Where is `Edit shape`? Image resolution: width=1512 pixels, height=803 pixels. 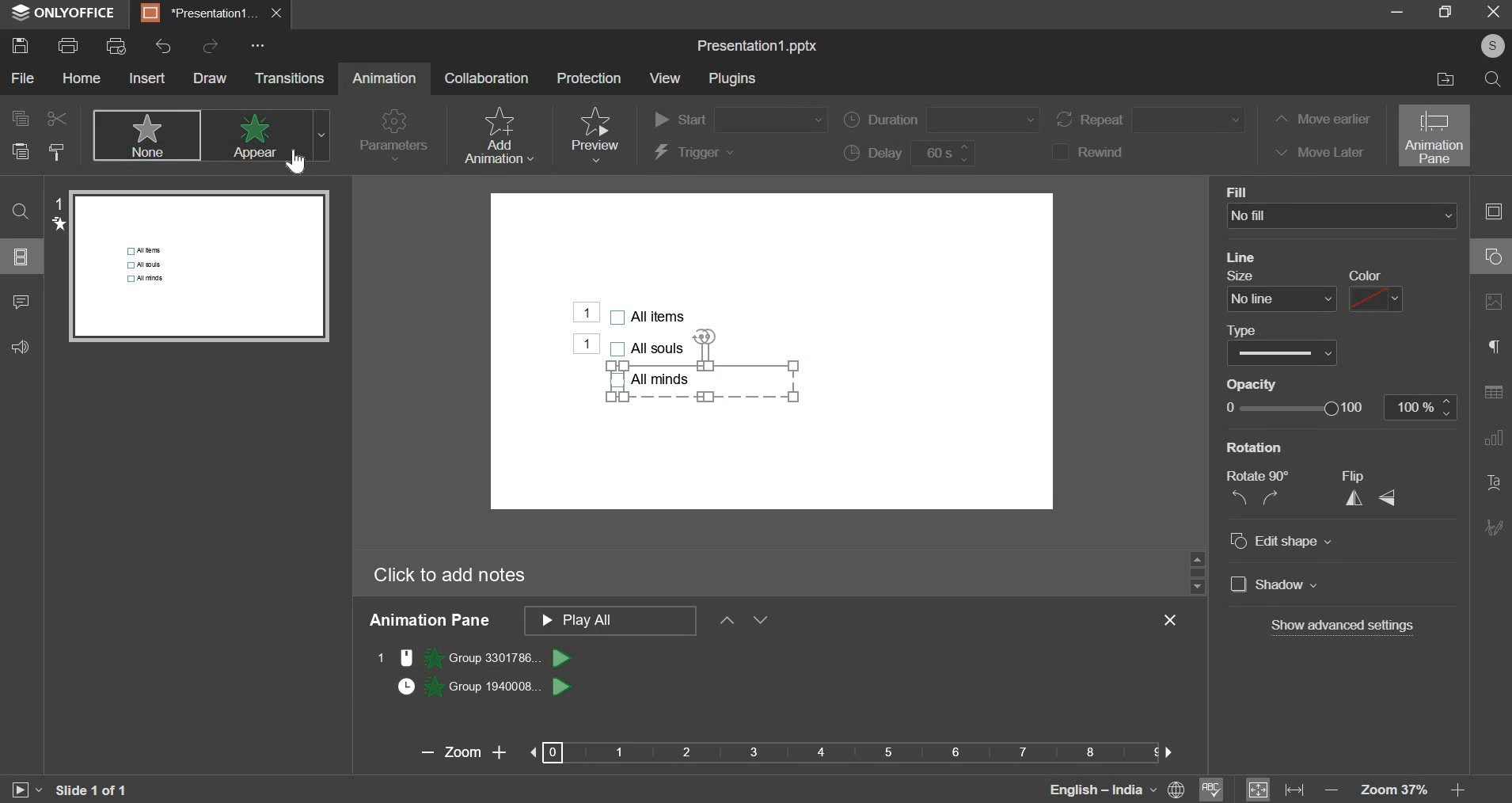 Edit shape is located at coordinates (1290, 541).